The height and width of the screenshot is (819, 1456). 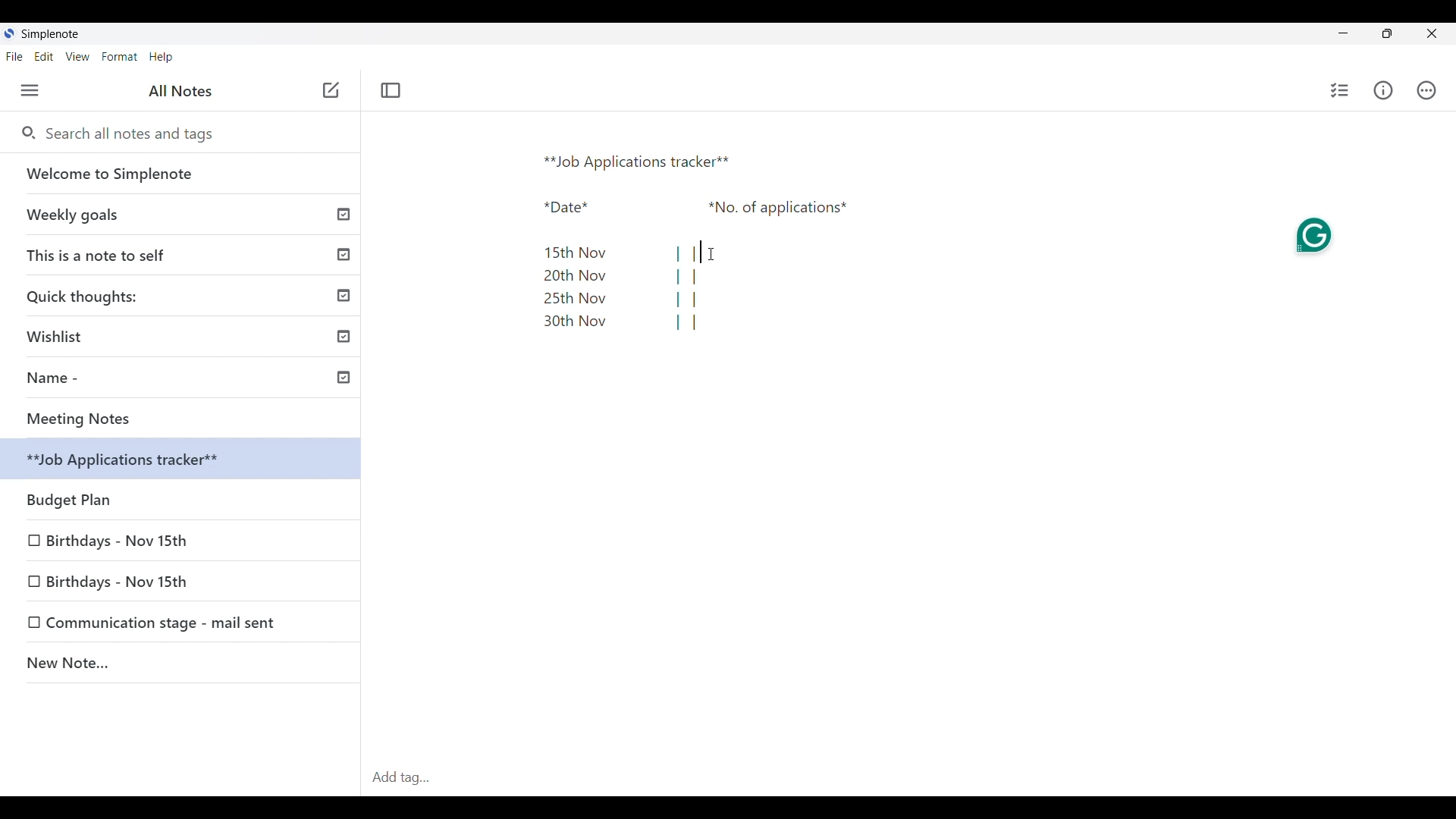 What do you see at coordinates (700, 253) in the screenshot?
I see `Text cursor` at bounding box center [700, 253].